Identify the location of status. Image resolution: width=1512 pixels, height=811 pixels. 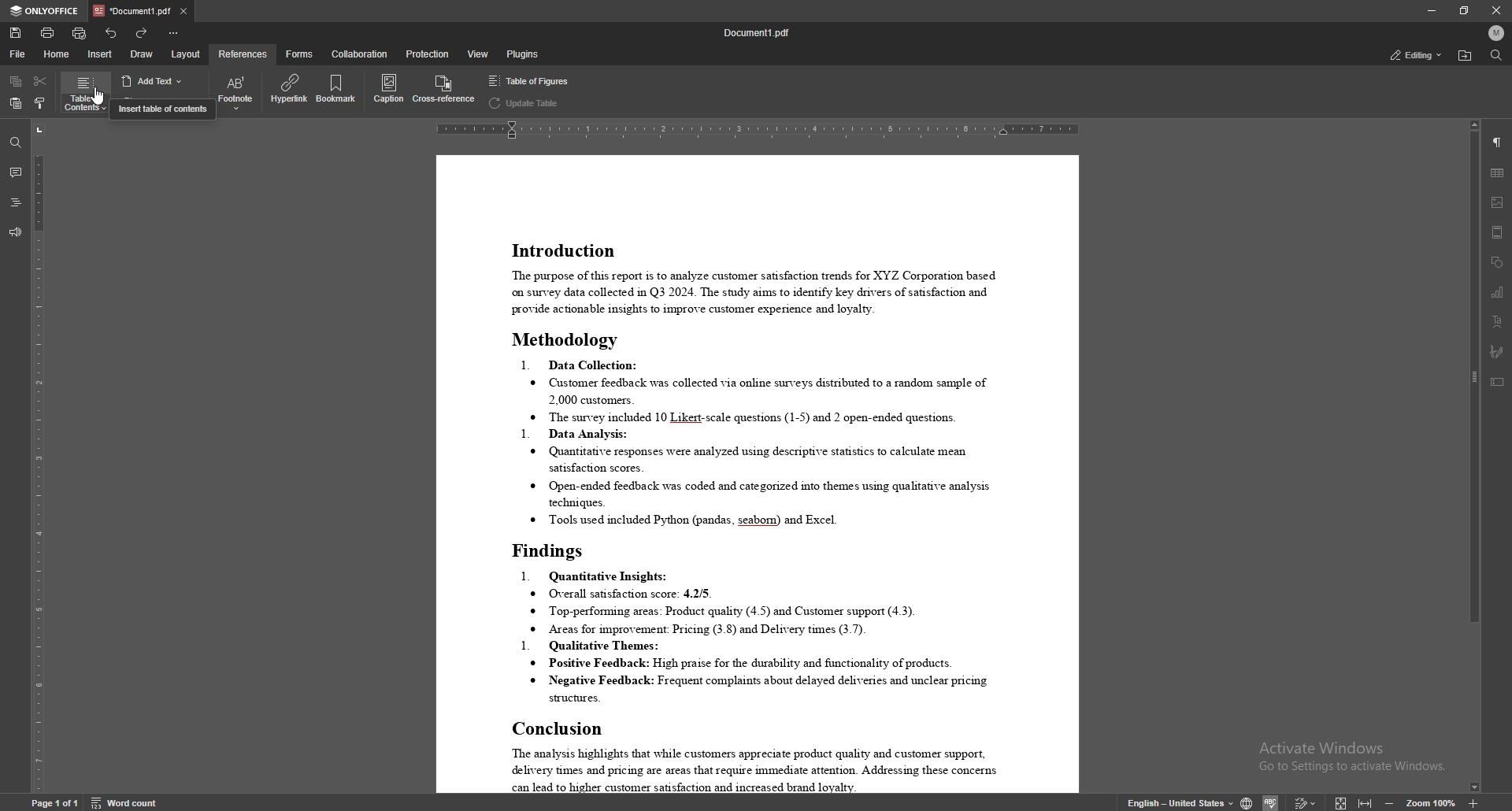
(1417, 55).